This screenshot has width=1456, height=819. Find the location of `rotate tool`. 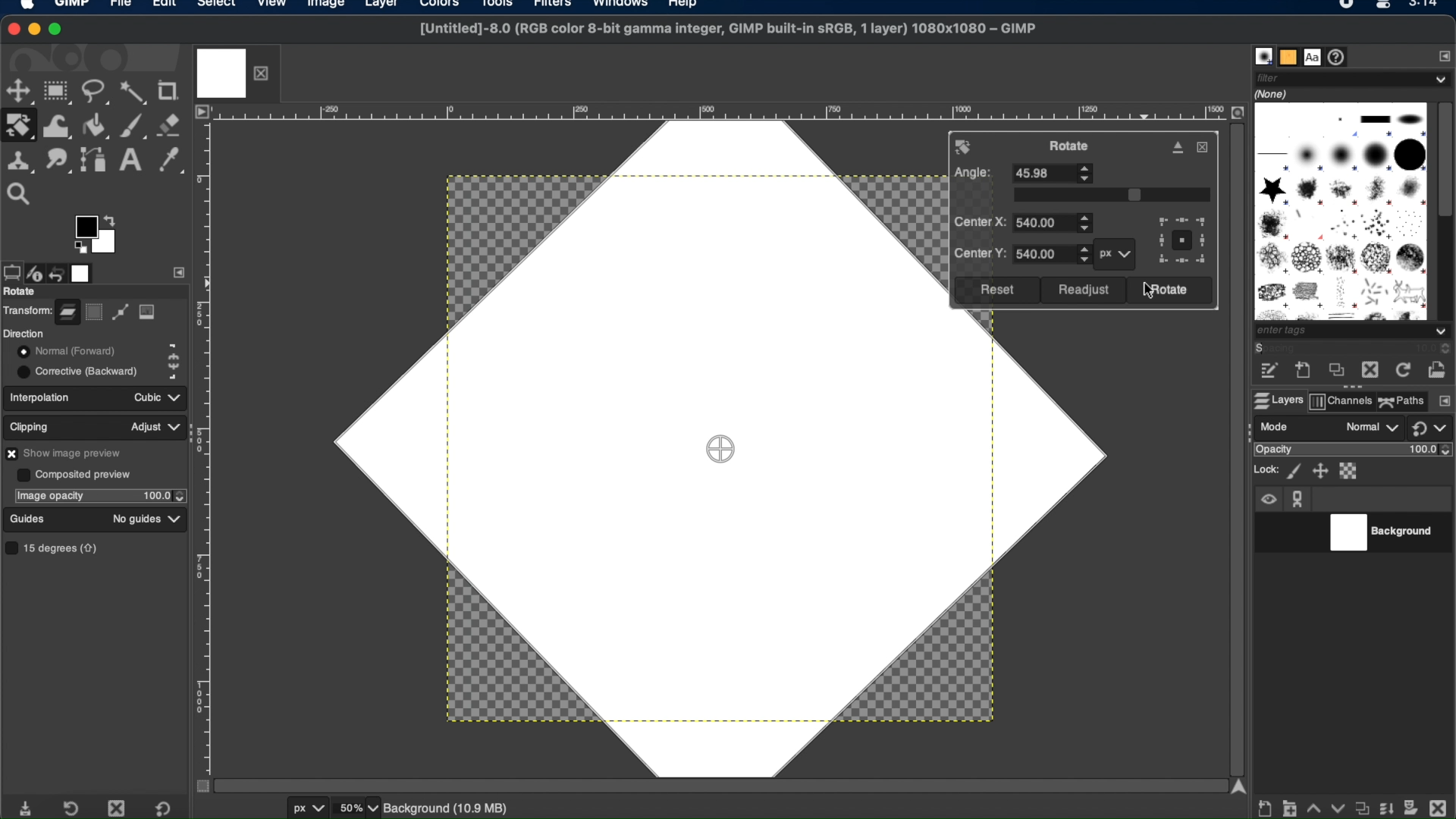

rotate tool is located at coordinates (20, 125).